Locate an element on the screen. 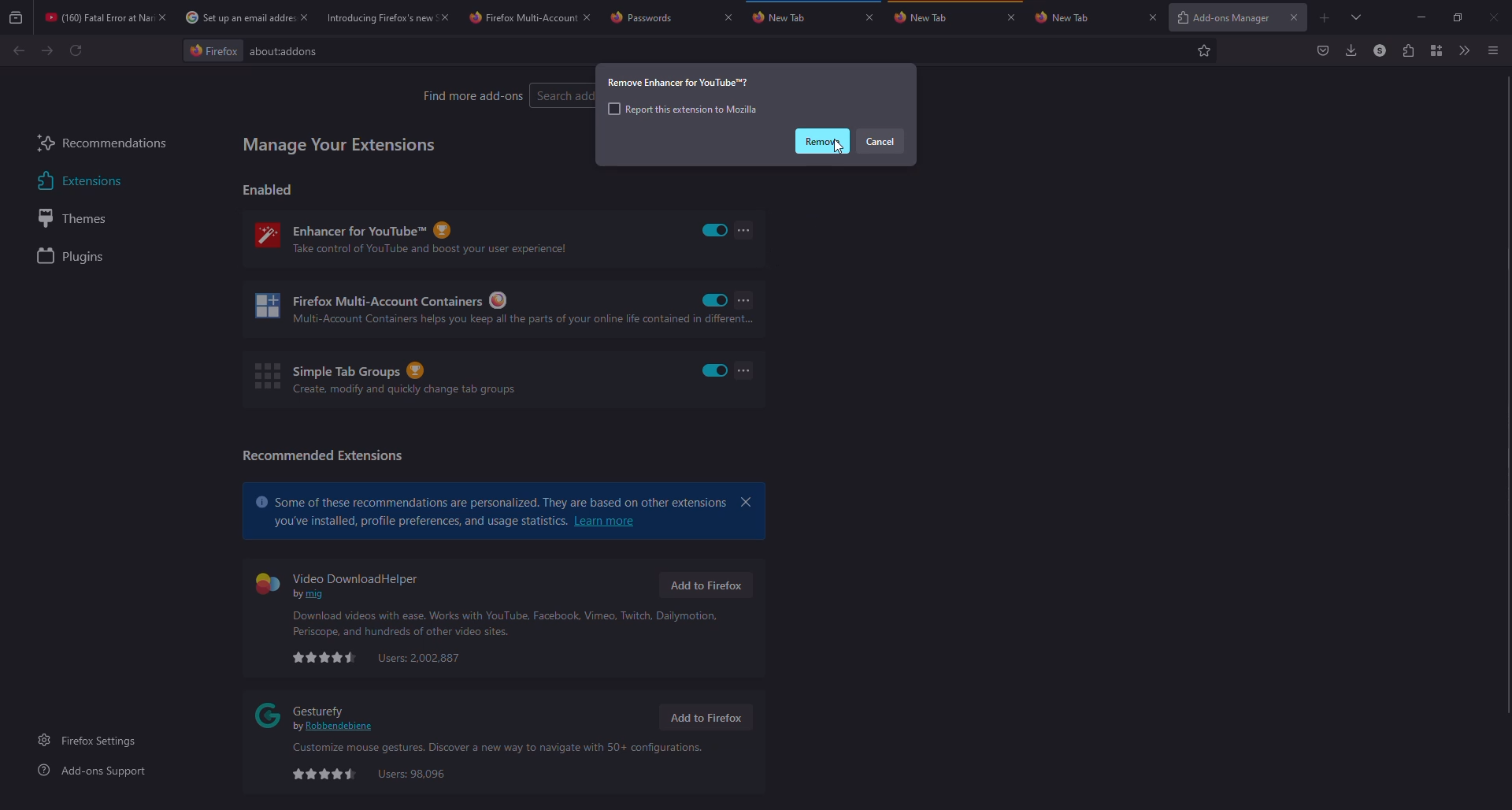 Image resolution: width=1512 pixels, height=810 pixels. view recent is located at coordinates (17, 17).